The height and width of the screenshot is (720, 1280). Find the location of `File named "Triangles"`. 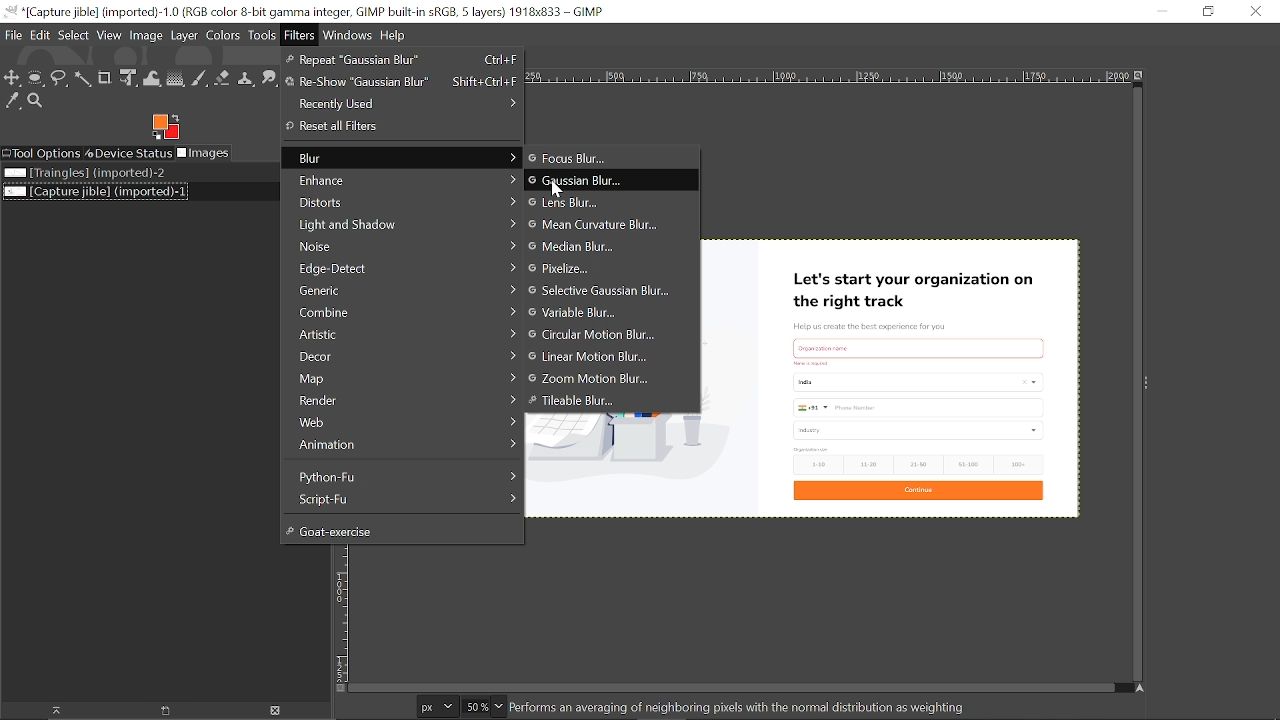

File named "Triangles" is located at coordinates (84, 173).